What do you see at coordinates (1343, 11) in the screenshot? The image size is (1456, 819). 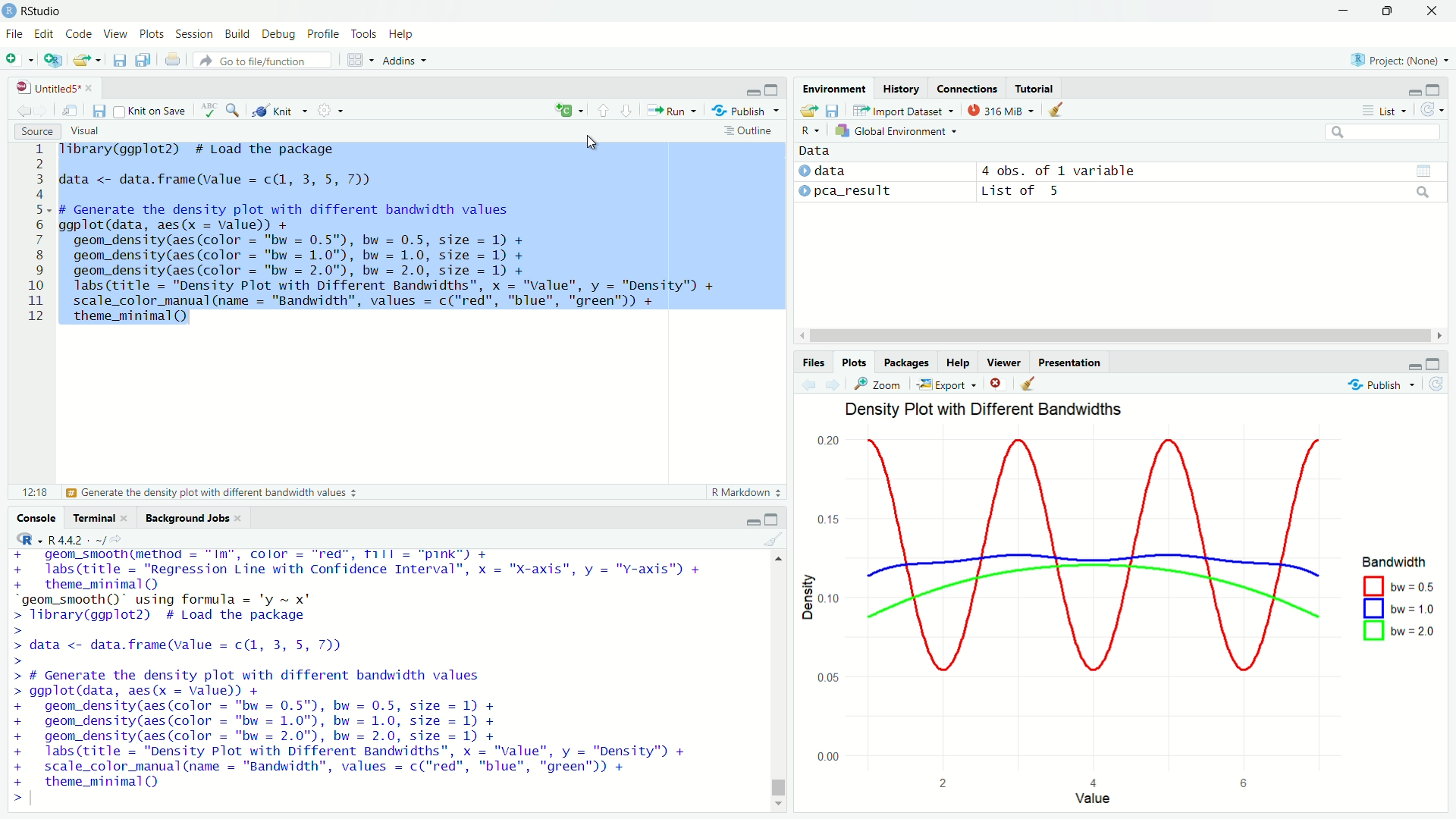 I see `minimize` at bounding box center [1343, 11].